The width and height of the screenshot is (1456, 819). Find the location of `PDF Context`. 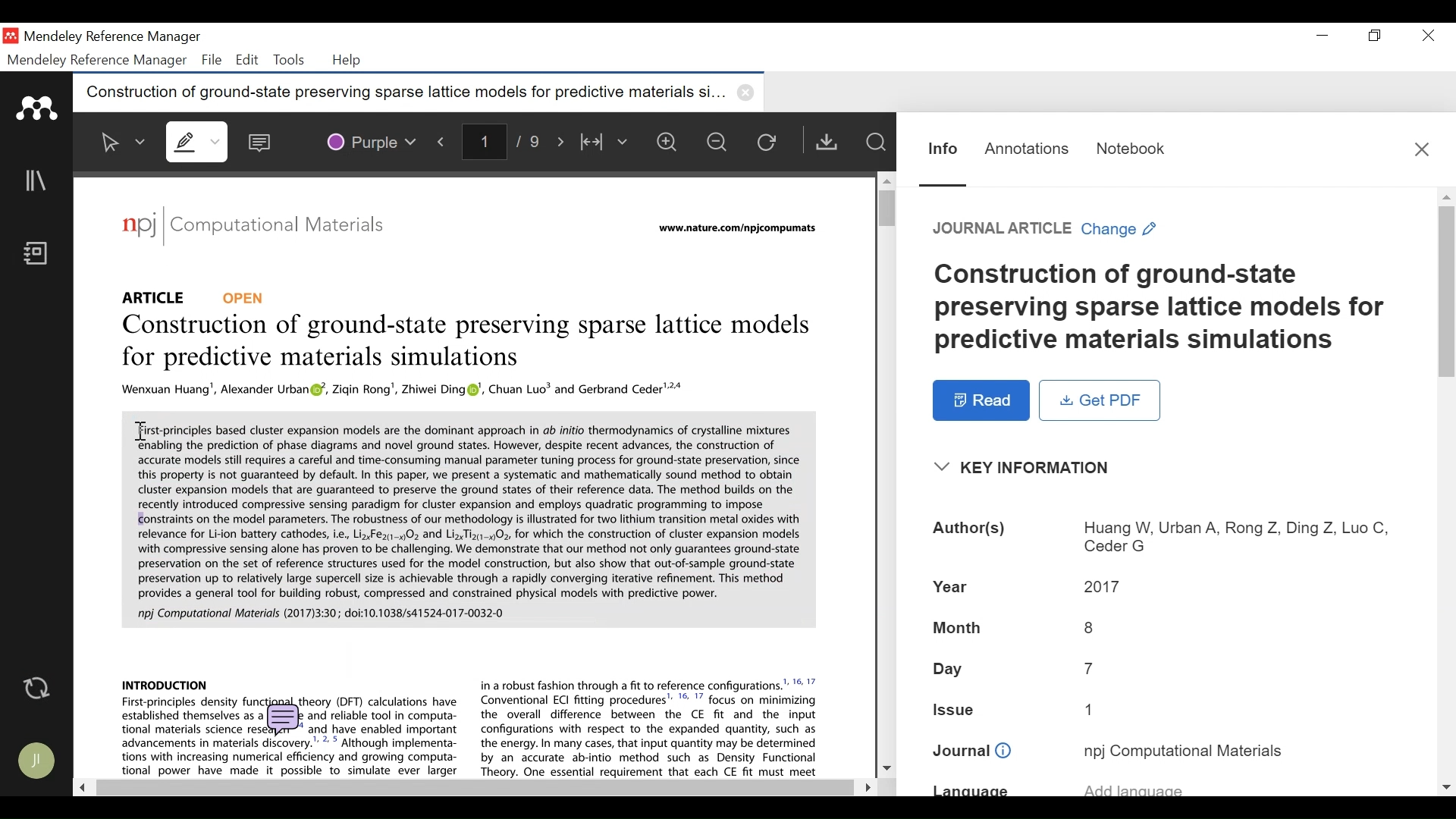

PDF Context is located at coordinates (471, 523).